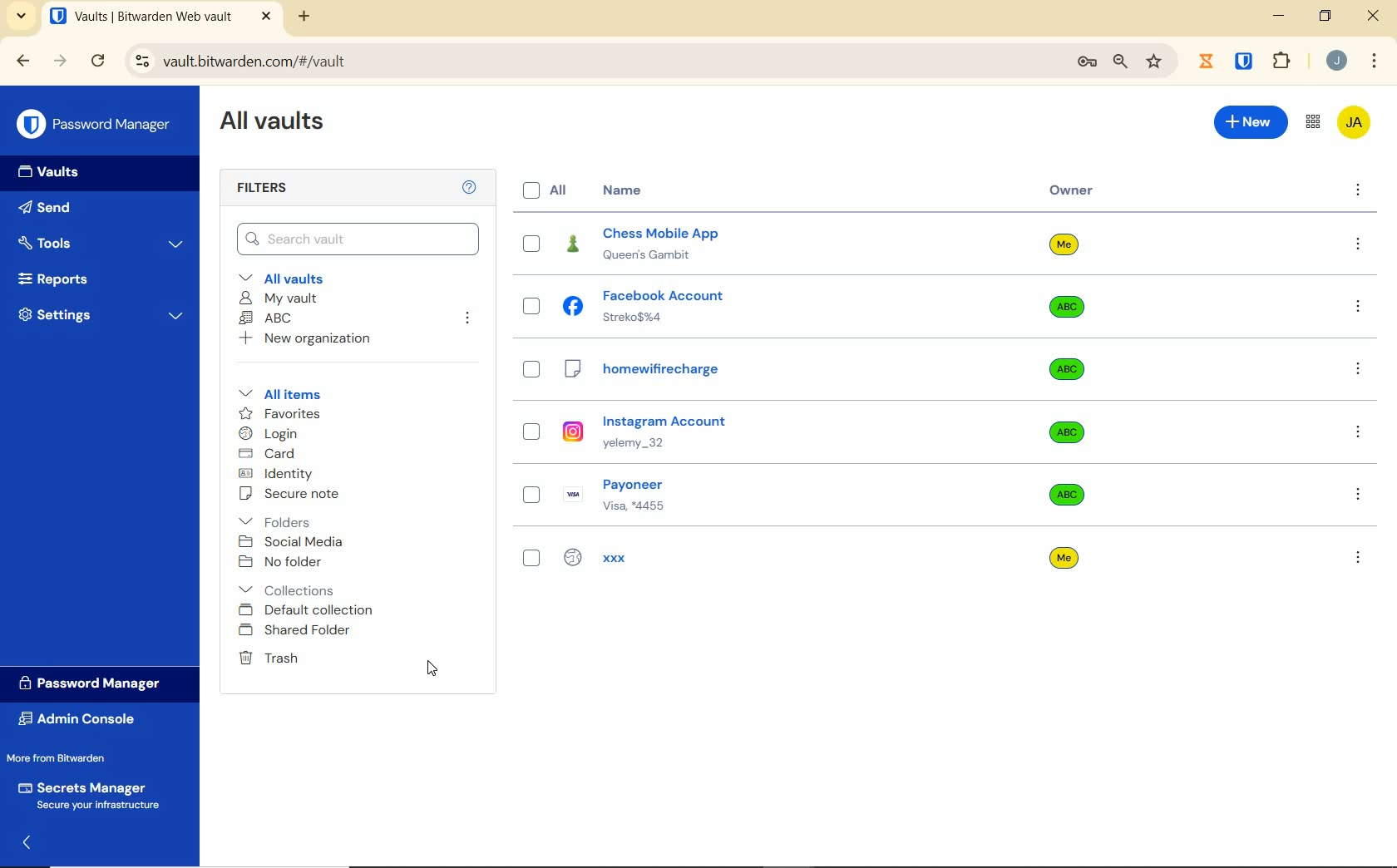 The image size is (1397, 868). What do you see at coordinates (285, 563) in the screenshot?
I see `No folder` at bounding box center [285, 563].